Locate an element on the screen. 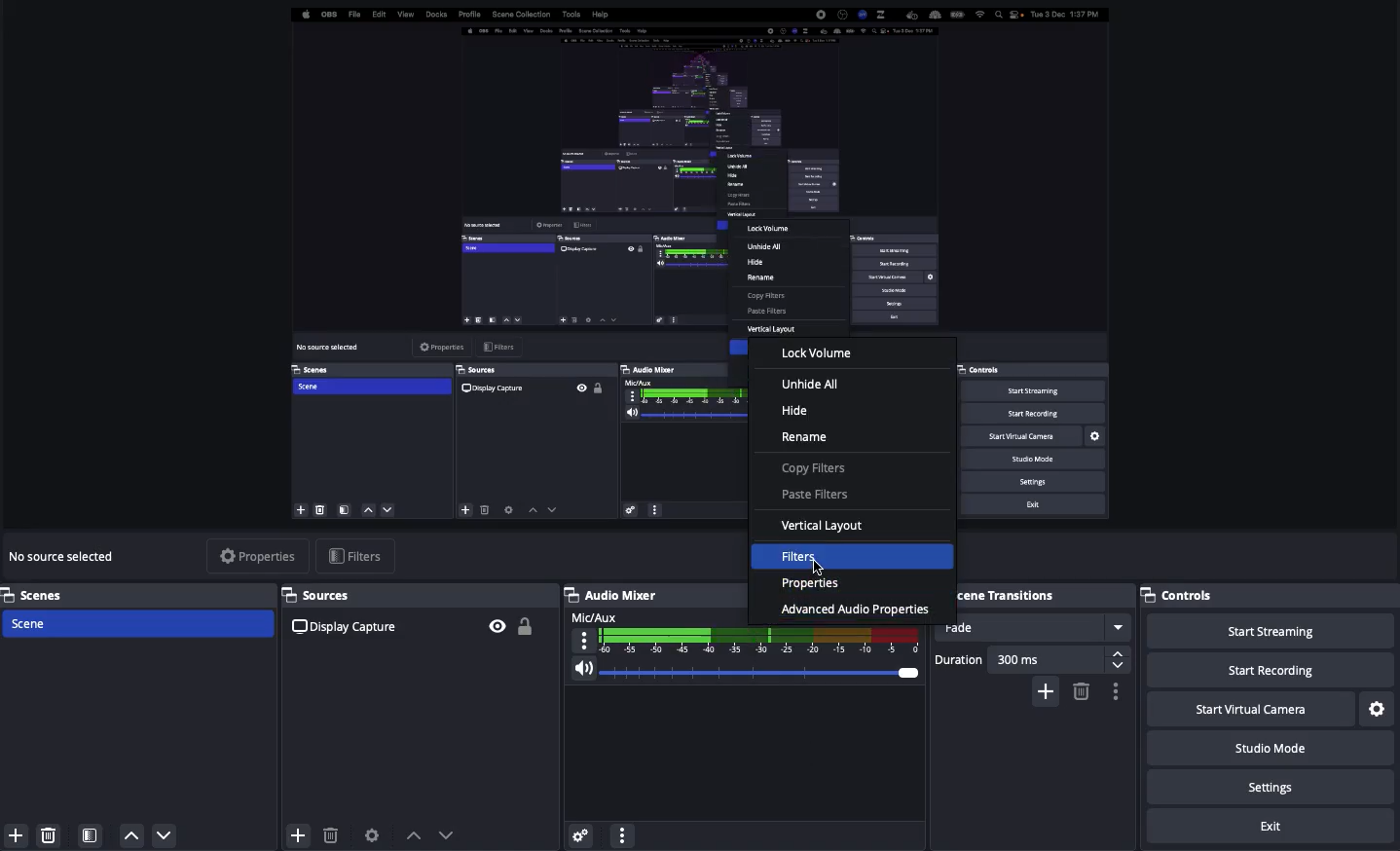  Settings is located at coordinates (1378, 708).